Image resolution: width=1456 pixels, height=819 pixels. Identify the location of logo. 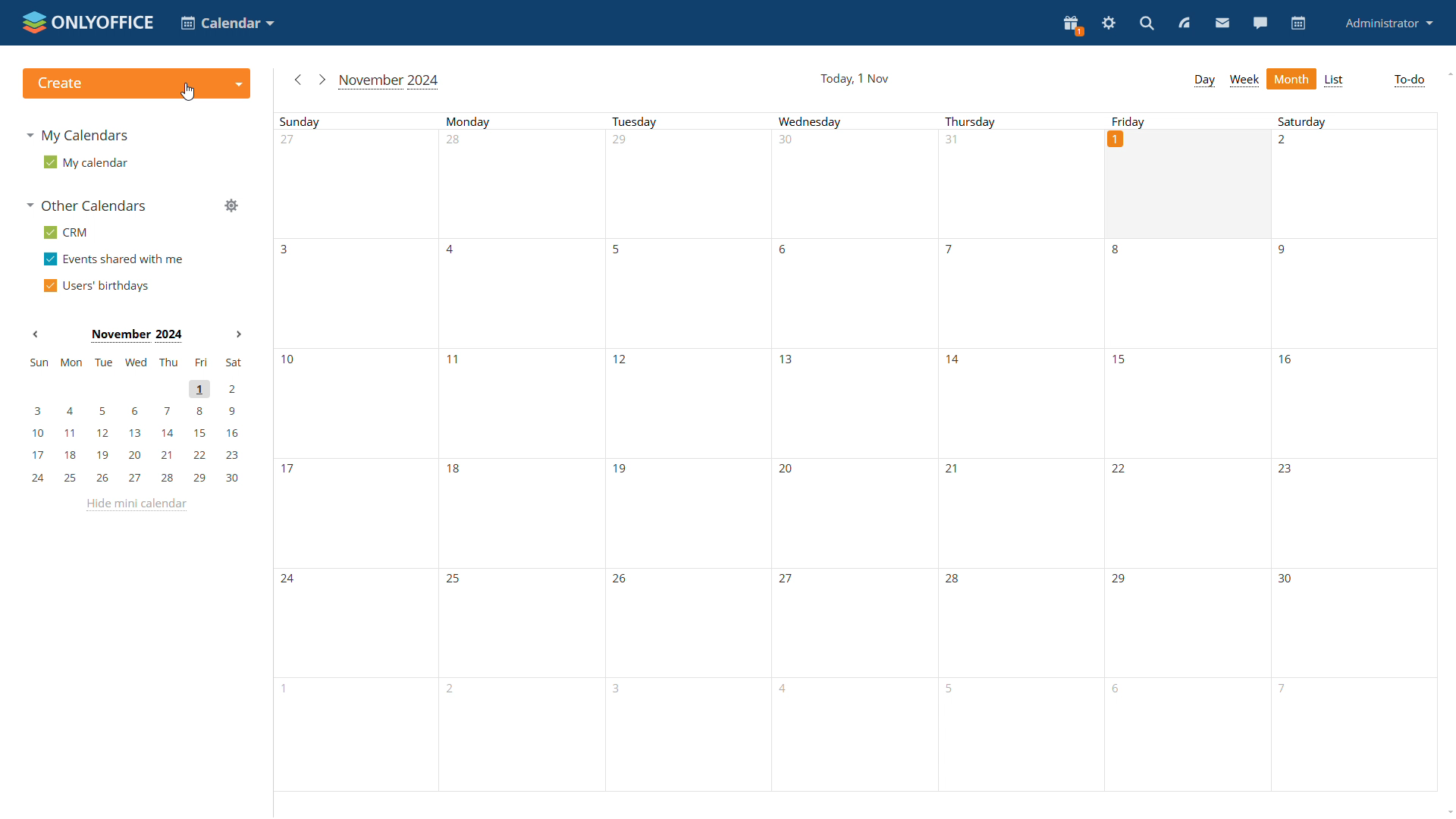
(86, 20).